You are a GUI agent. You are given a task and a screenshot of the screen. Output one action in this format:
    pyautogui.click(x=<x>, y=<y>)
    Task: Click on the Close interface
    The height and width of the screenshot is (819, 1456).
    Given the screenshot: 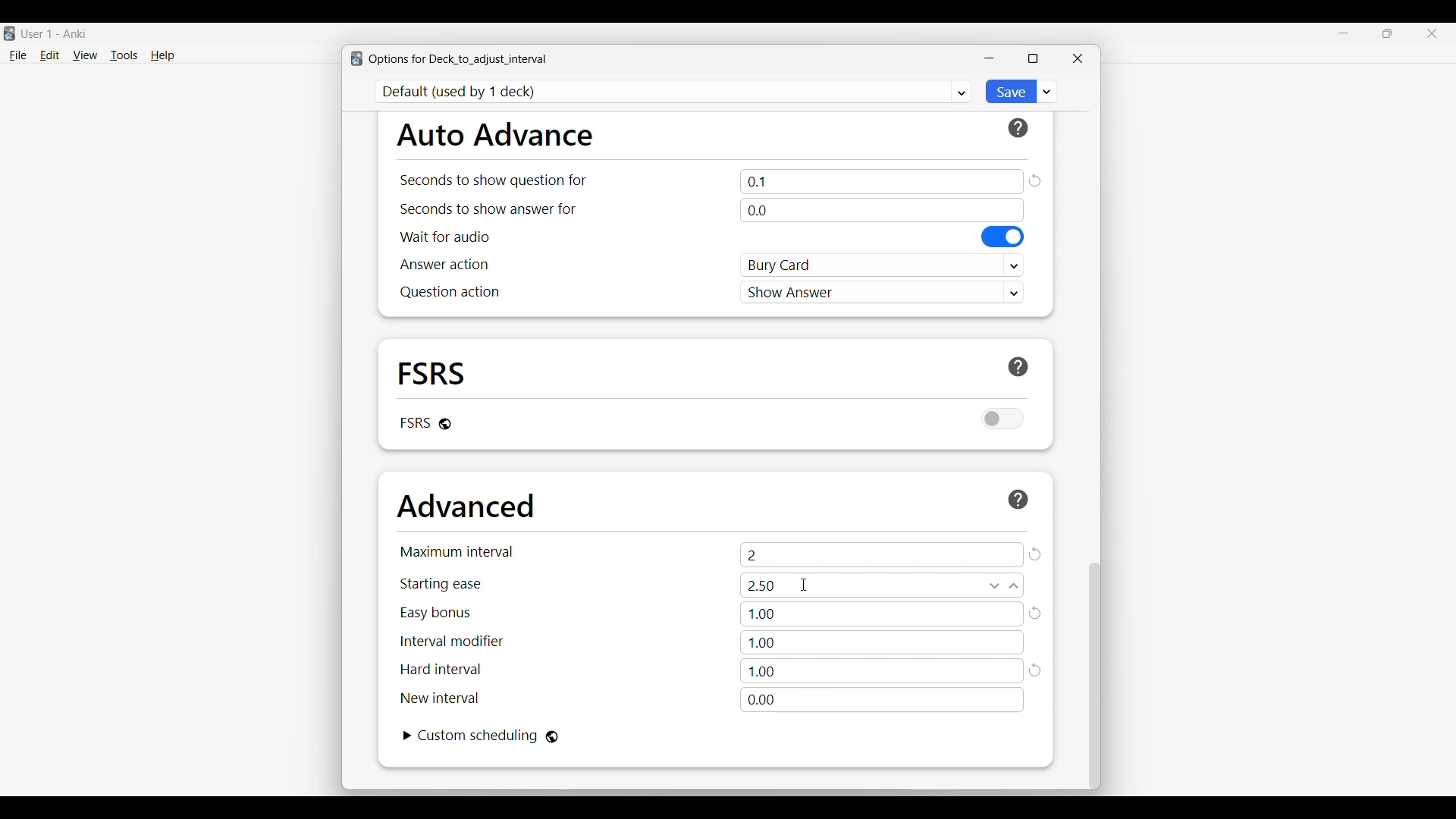 What is the action you would take?
    pyautogui.click(x=1432, y=33)
    